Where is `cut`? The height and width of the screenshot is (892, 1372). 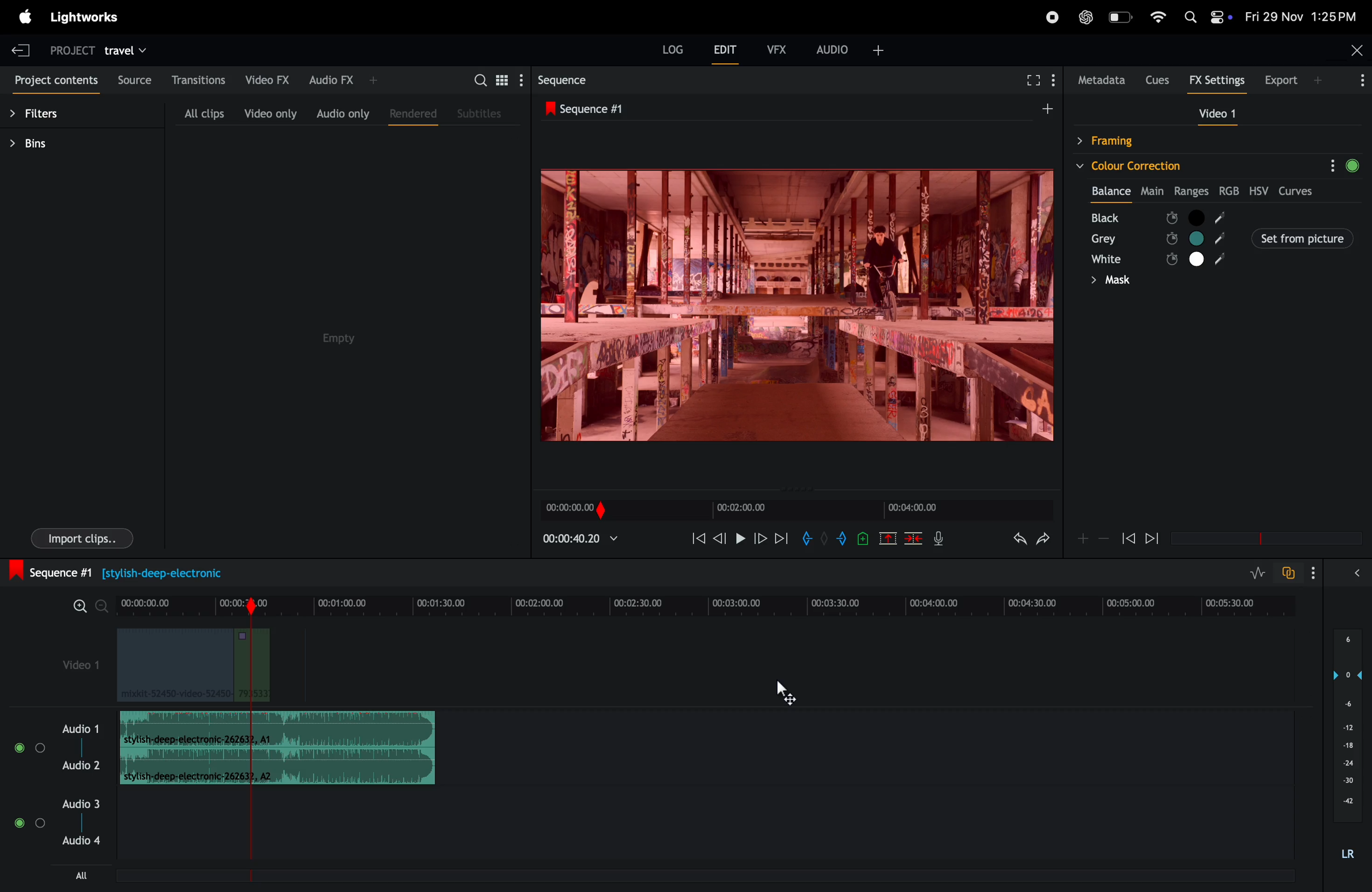
cut is located at coordinates (887, 540).